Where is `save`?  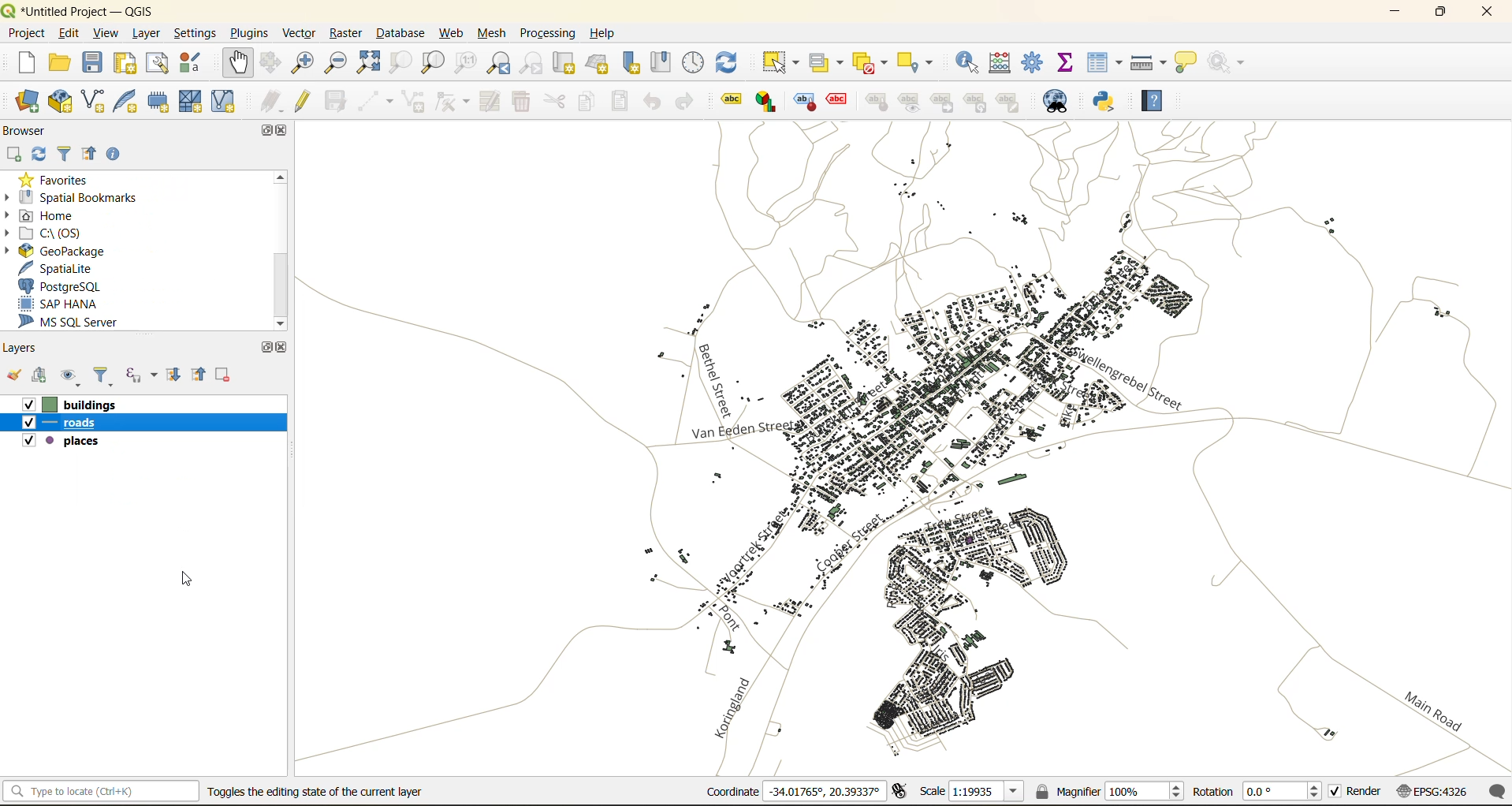
save is located at coordinates (95, 65).